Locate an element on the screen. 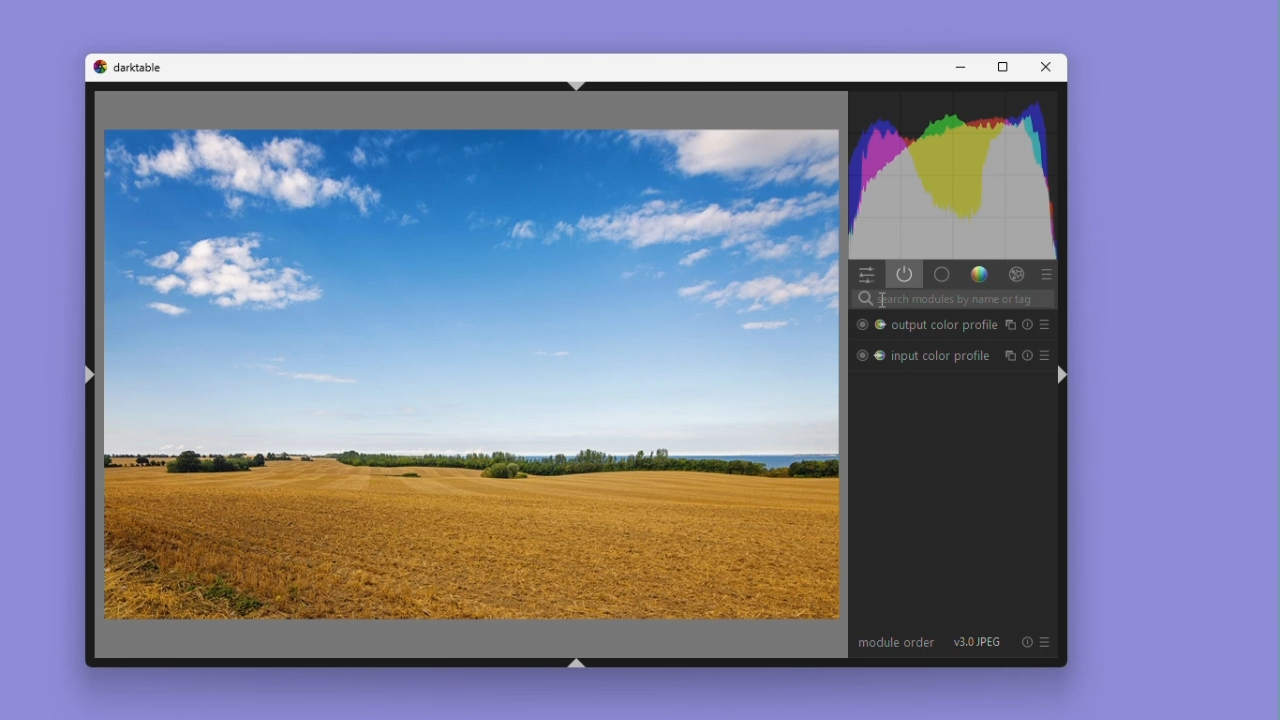 The height and width of the screenshot is (720, 1280). darktable logo is located at coordinates (100, 68).